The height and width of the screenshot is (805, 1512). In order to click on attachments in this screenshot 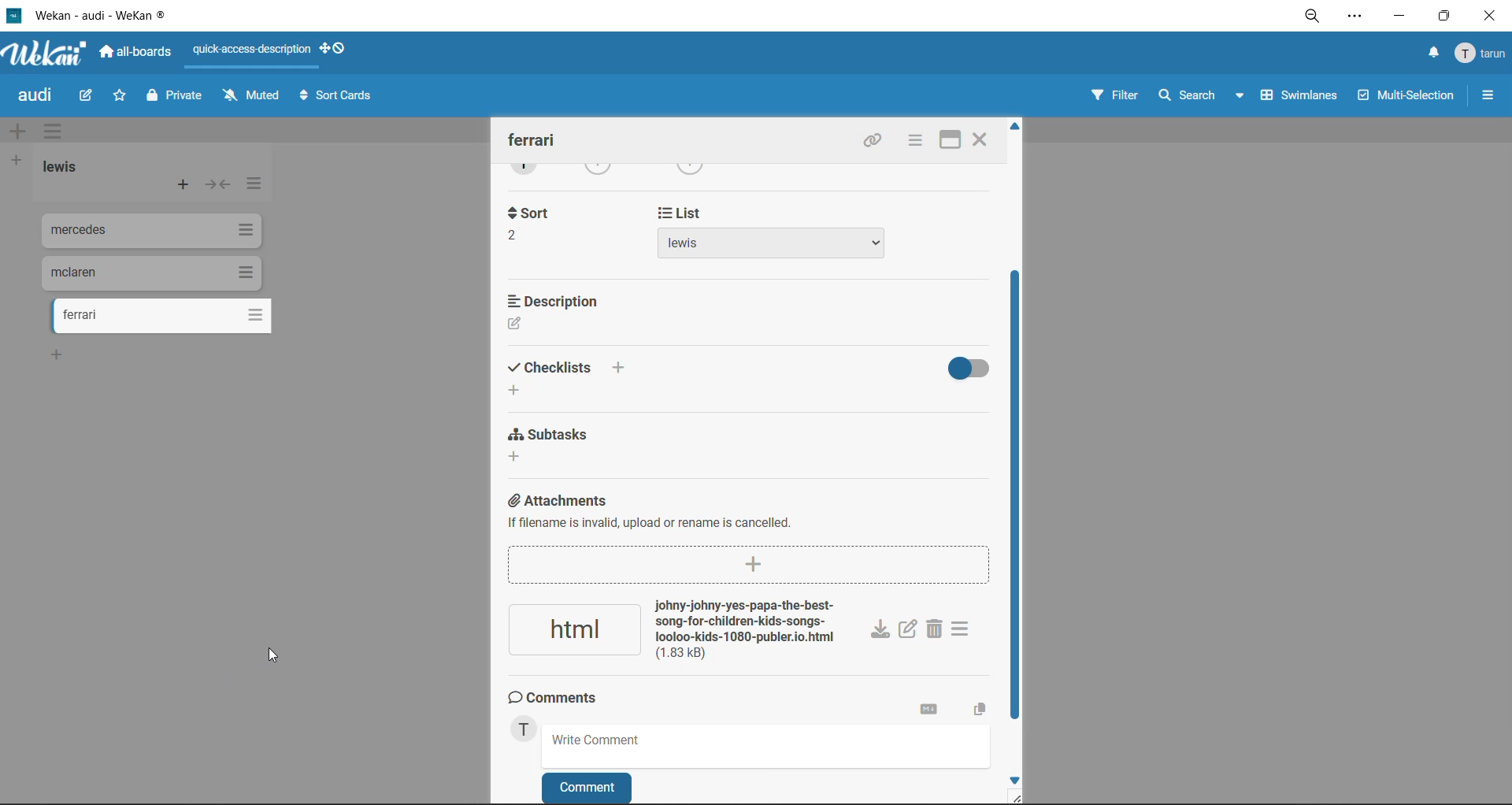, I will do `click(756, 540)`.